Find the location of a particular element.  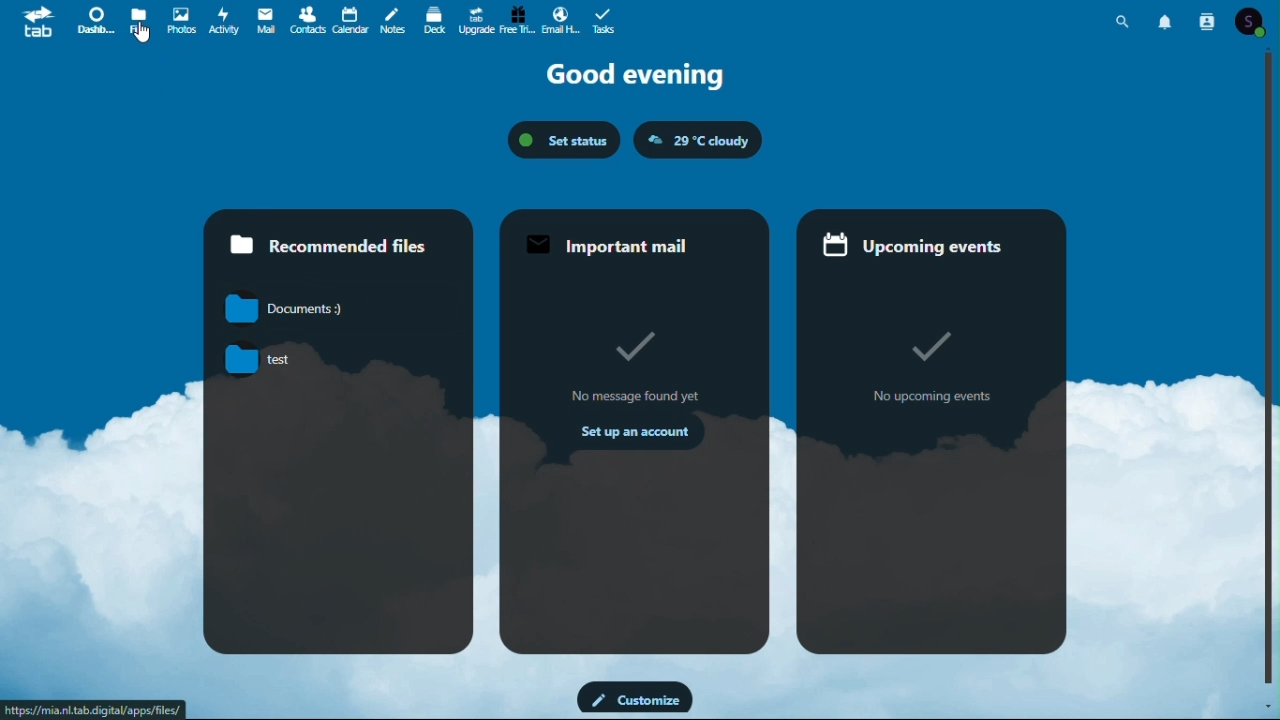

Activity is located at coordinates (225, 21).